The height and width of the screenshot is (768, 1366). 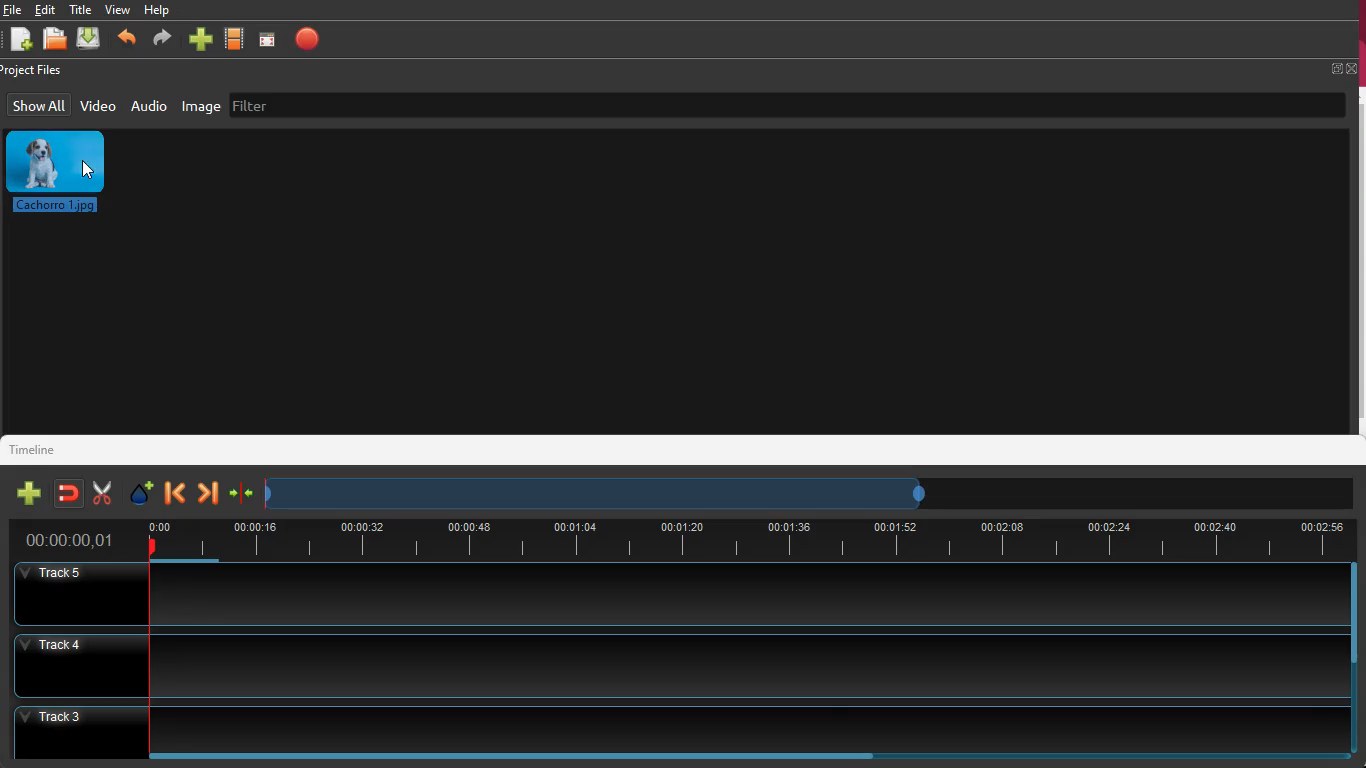 I want to click on help, so click(x=160, y=10).